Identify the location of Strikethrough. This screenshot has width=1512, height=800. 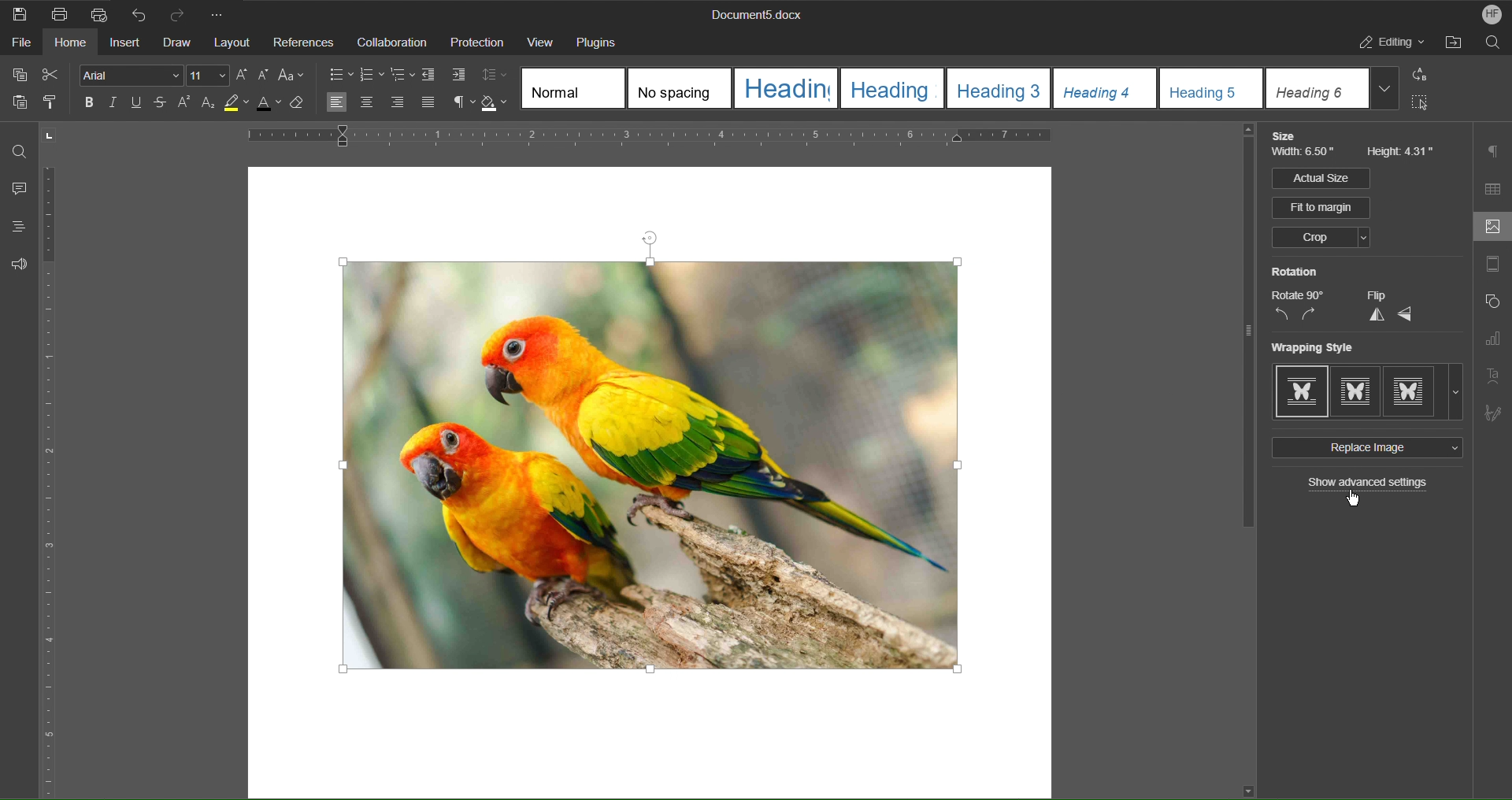
(161, 105).